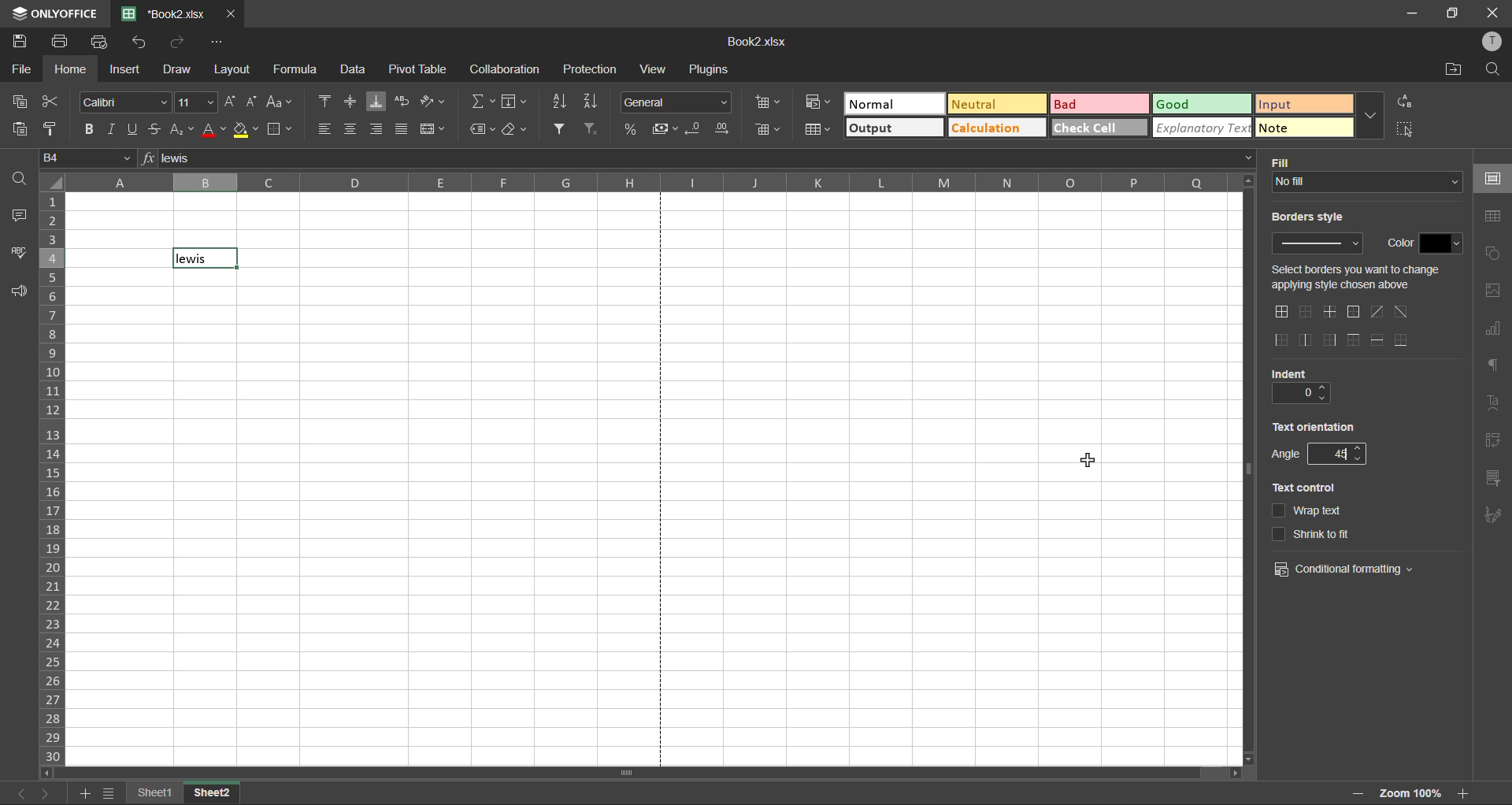  What do you see at coordinates (1444, 242) in the screenshot?
I see `change color` at bounding box center [1444, 242].